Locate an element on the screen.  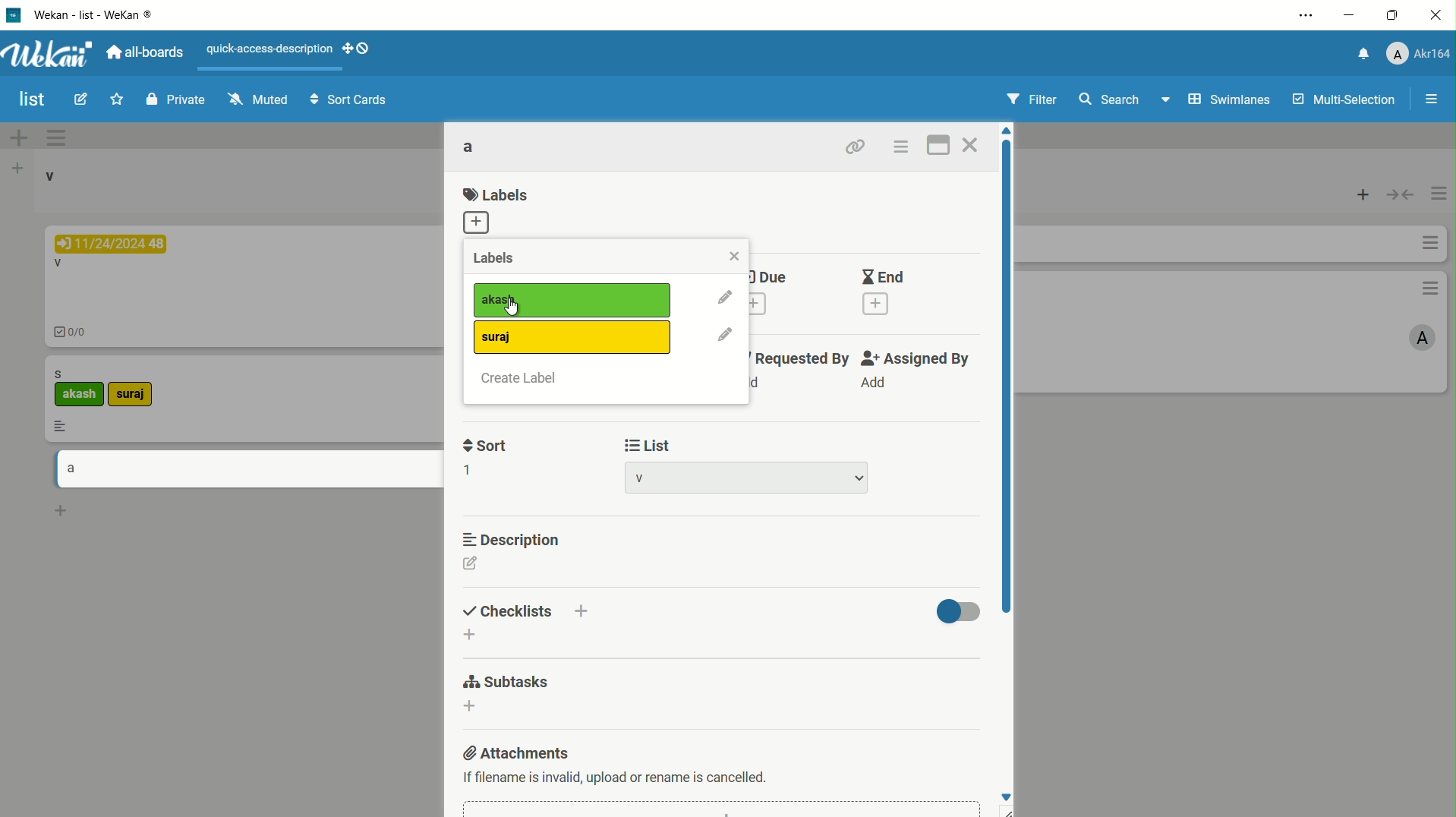
card actions is located at coordinates (900, 147).